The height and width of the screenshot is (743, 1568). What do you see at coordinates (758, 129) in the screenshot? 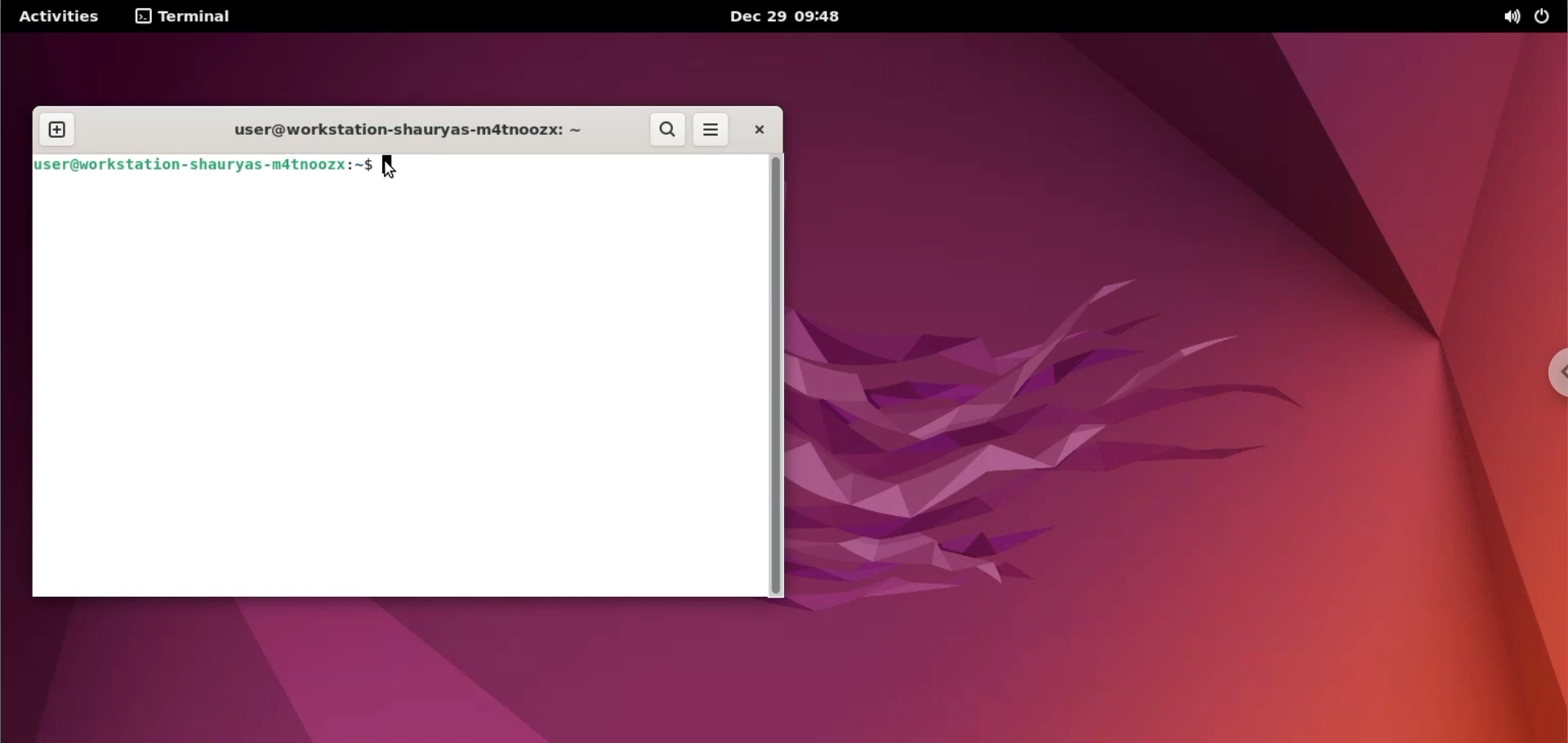
I see `close` at bounding box center [758, 129].